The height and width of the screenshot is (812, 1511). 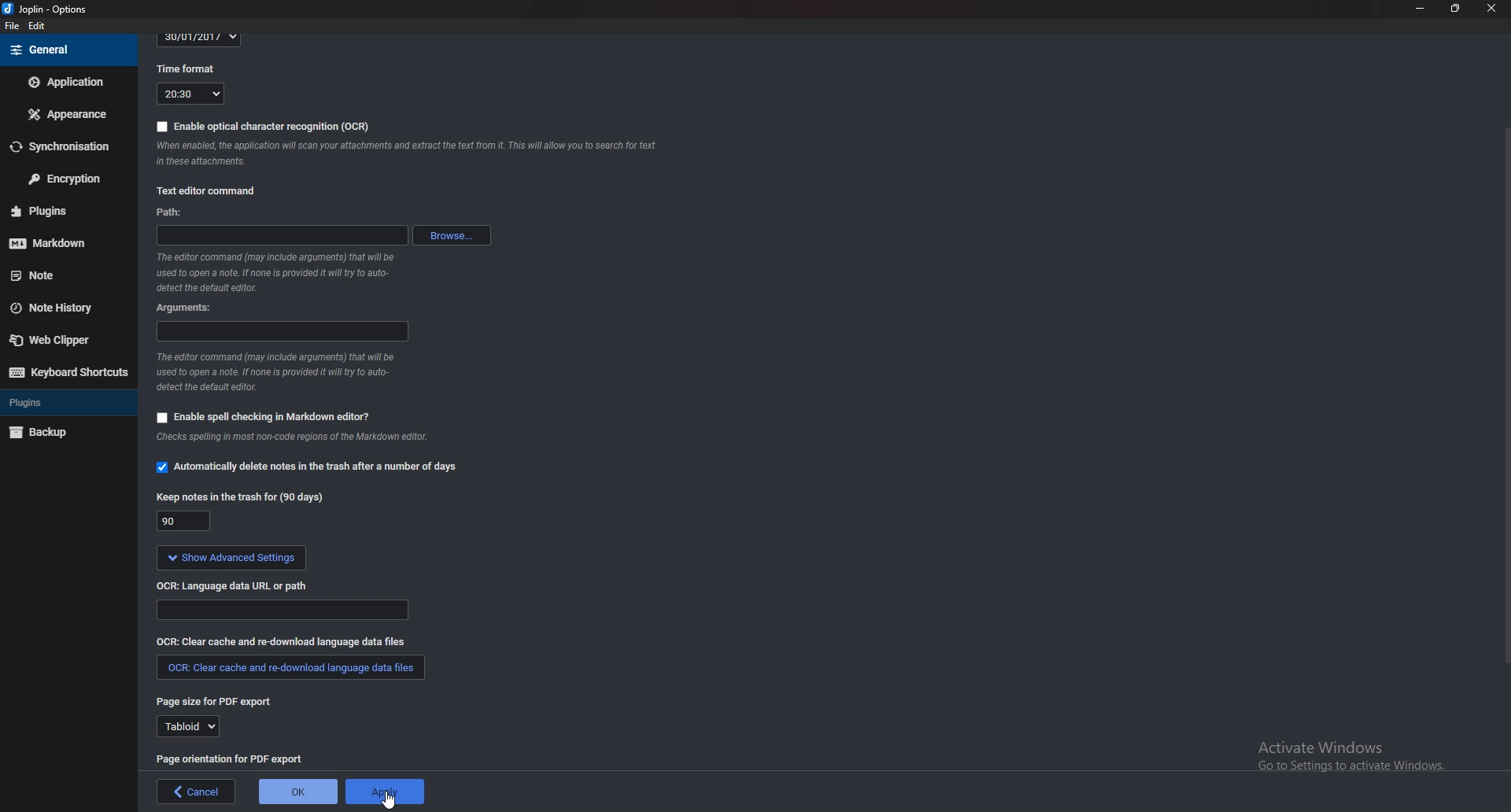 I want to click on path, so click(x=185, y=214).